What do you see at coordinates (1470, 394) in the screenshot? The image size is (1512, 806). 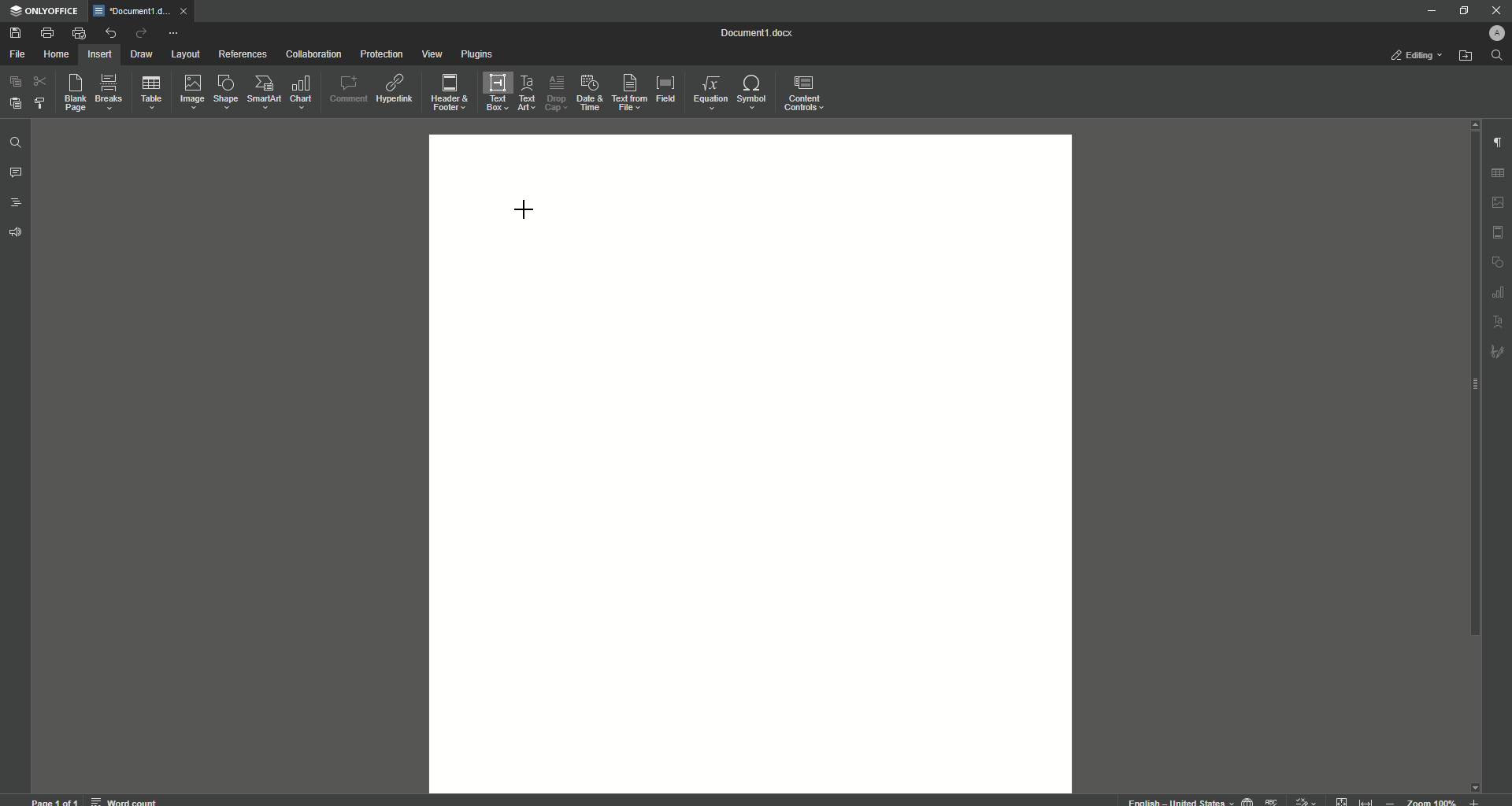 I see `Scroll` at bounding box center [1470, 394].